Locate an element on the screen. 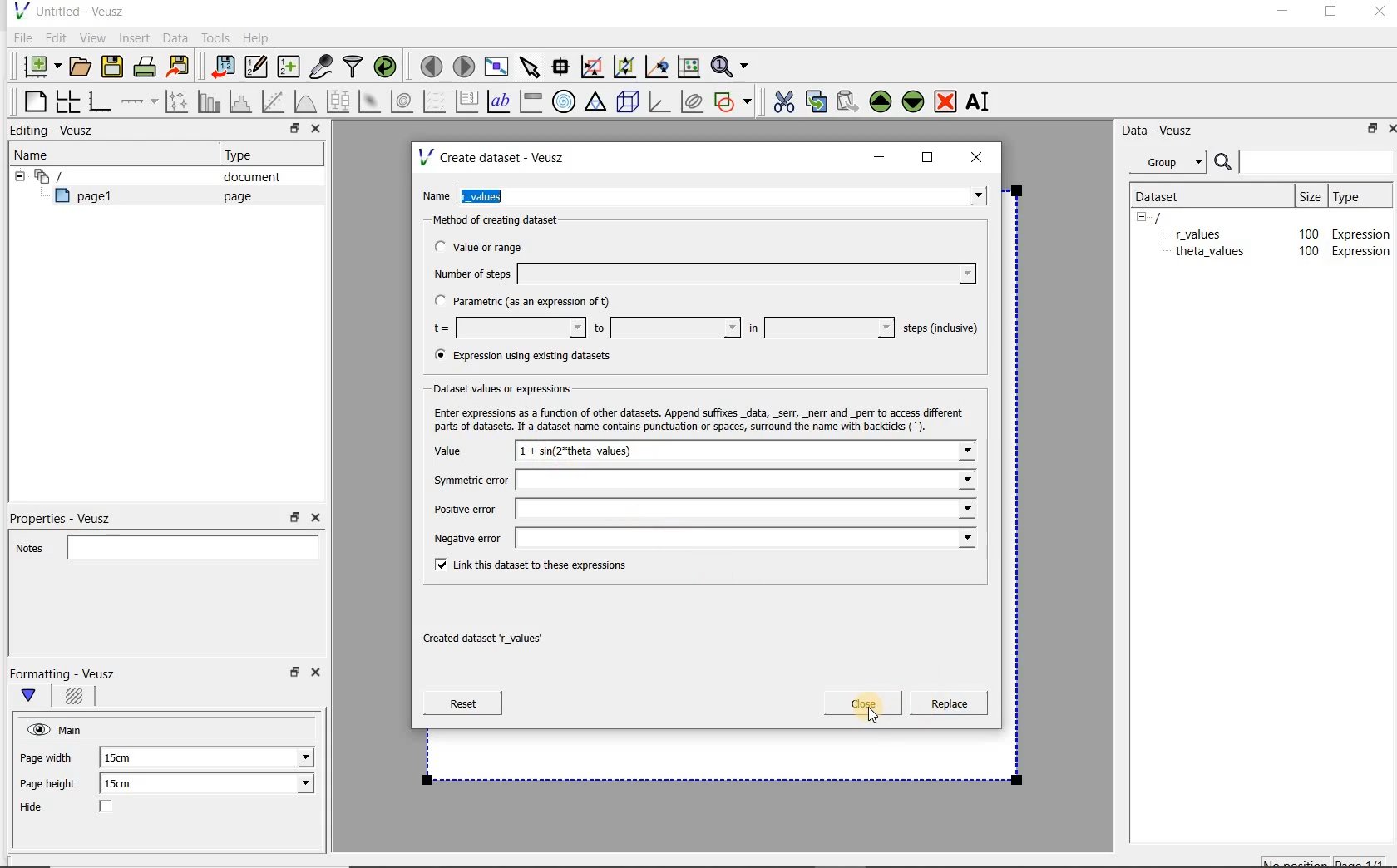 Image resolution: width=1397 pixels, height=868 pixels. minimize is located at coordinates (1281, 13).